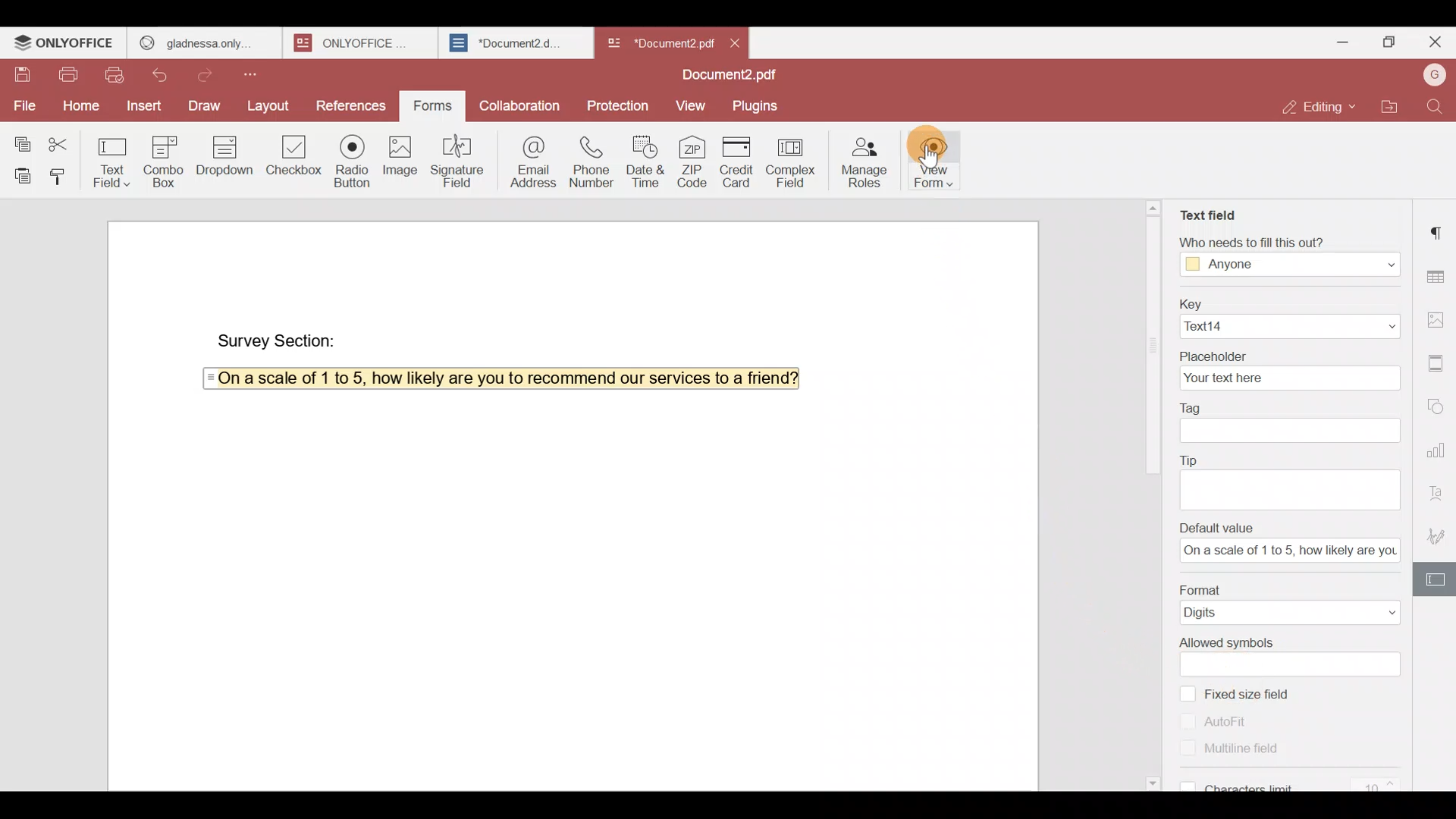  What do you see at coordinates (1392, 42) in the screenshot?
I see `Maximize` at bounding box center [1392, 42].